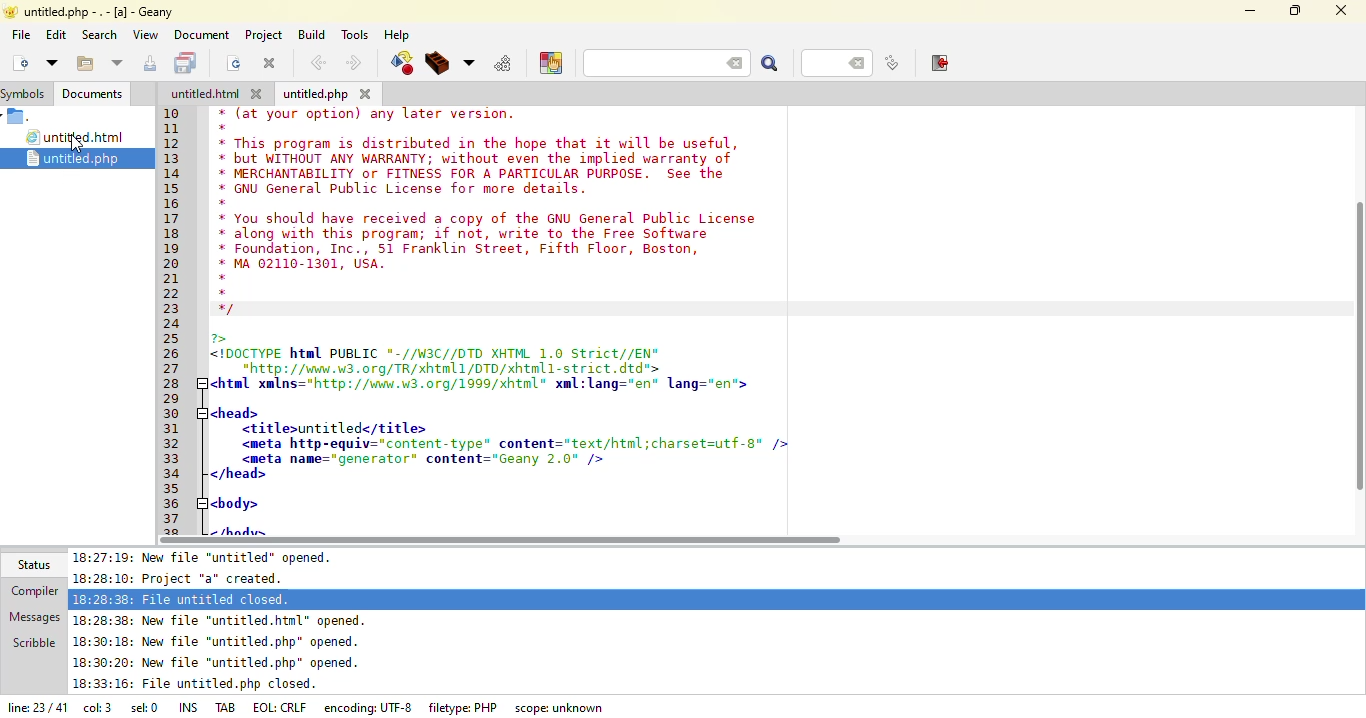 This screenshot has height=718, width=1366. What do you see at coordinates (55, 64) in the screenshot?
I see `create from template` at bounding box center [55, 64].